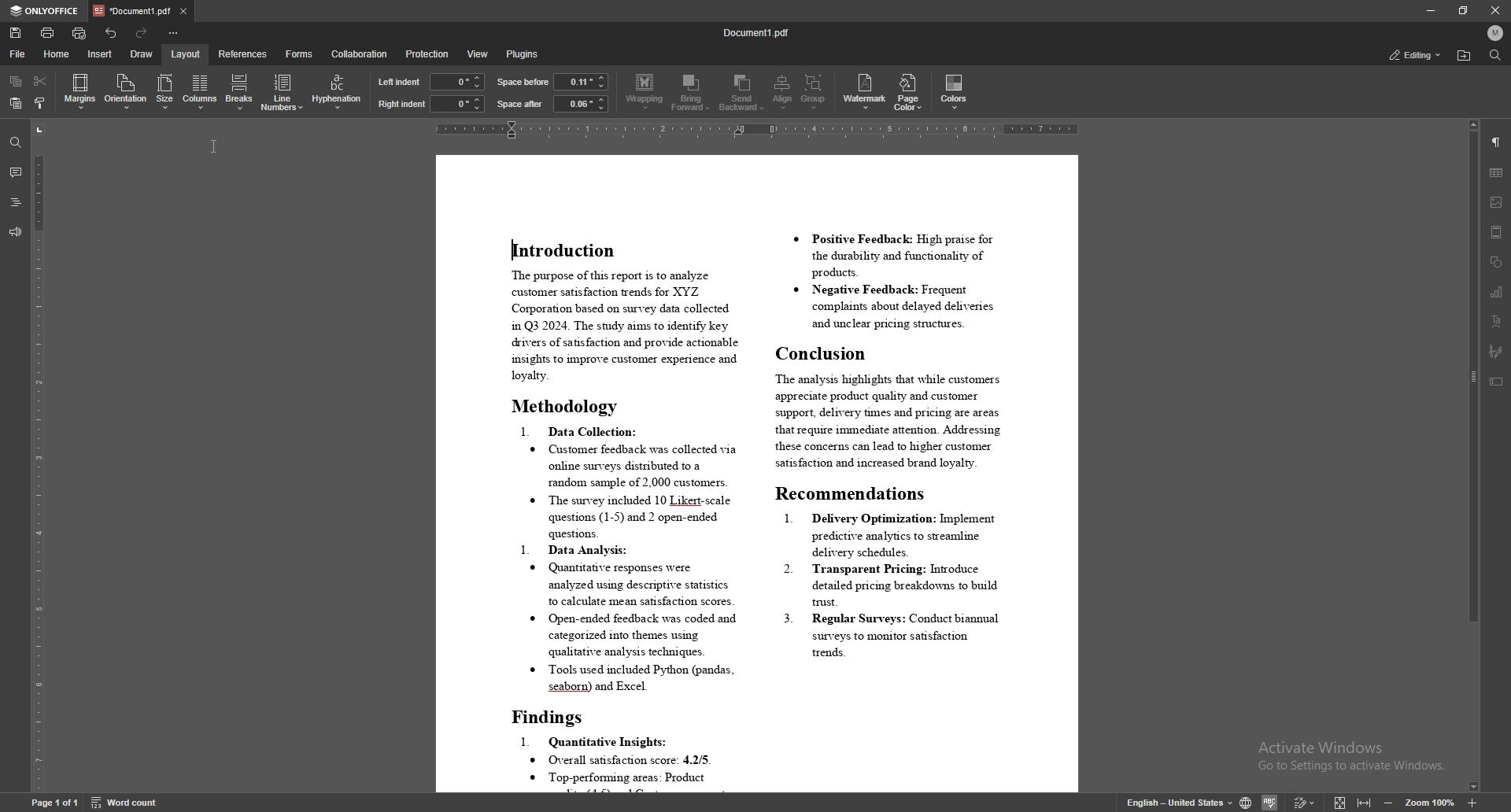 The image size is (1511, 812). I want to click on space before, so click(524, 82).